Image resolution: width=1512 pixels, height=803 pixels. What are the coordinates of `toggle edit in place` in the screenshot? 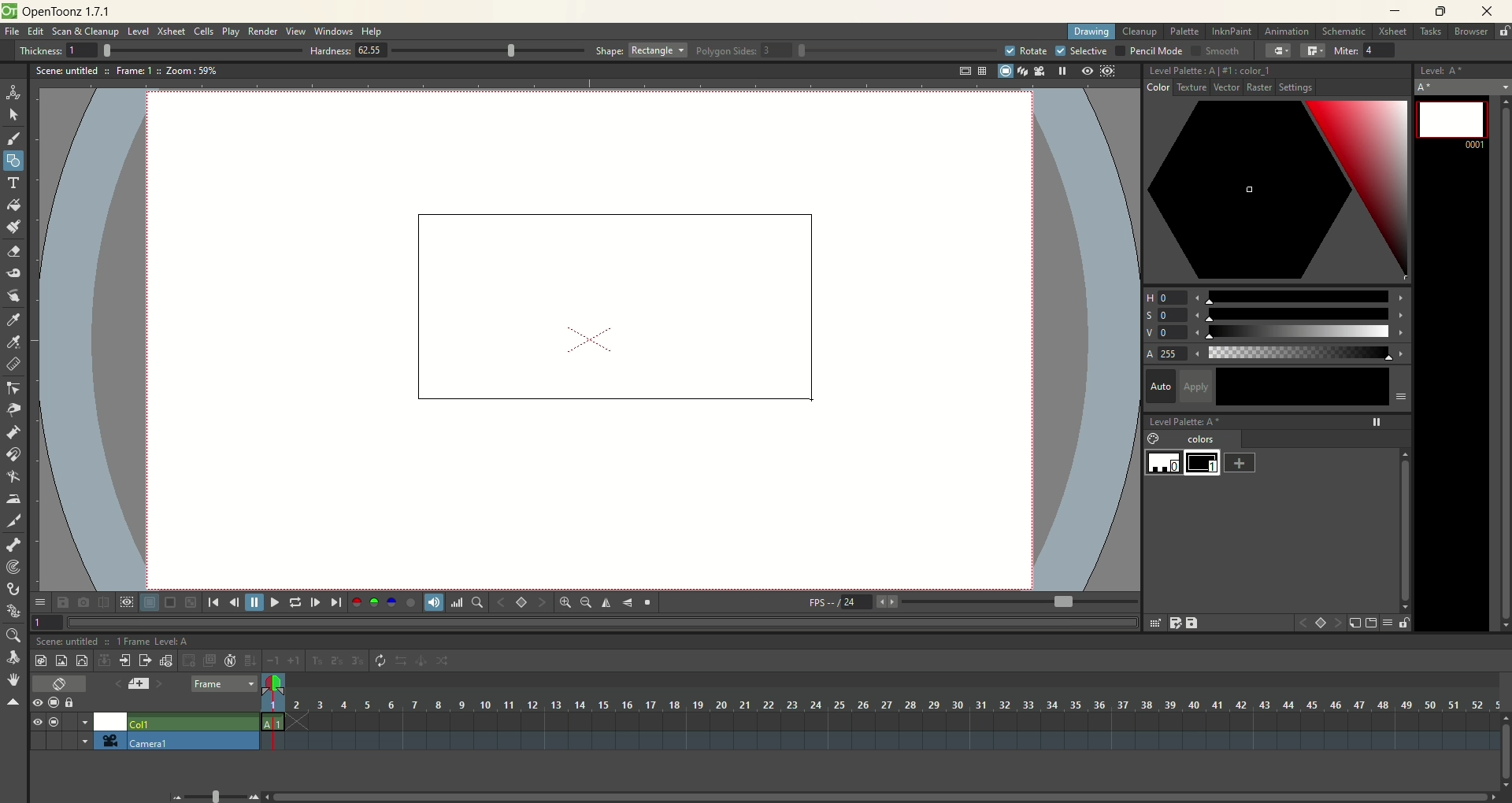 It's located at (168, 661).